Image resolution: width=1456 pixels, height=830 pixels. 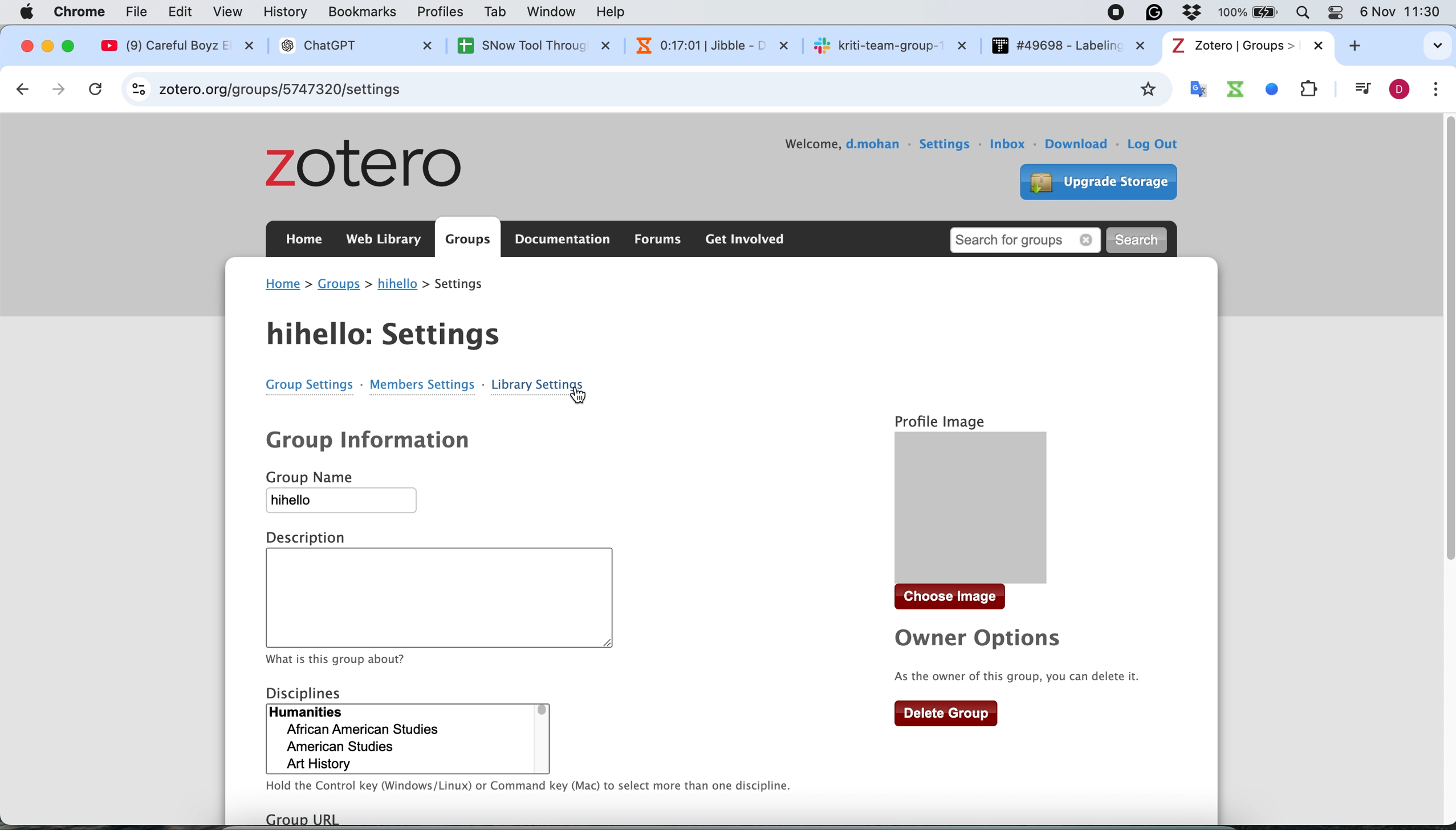 I want to click on vertical scroll bar, so click(x=1430, y=366).